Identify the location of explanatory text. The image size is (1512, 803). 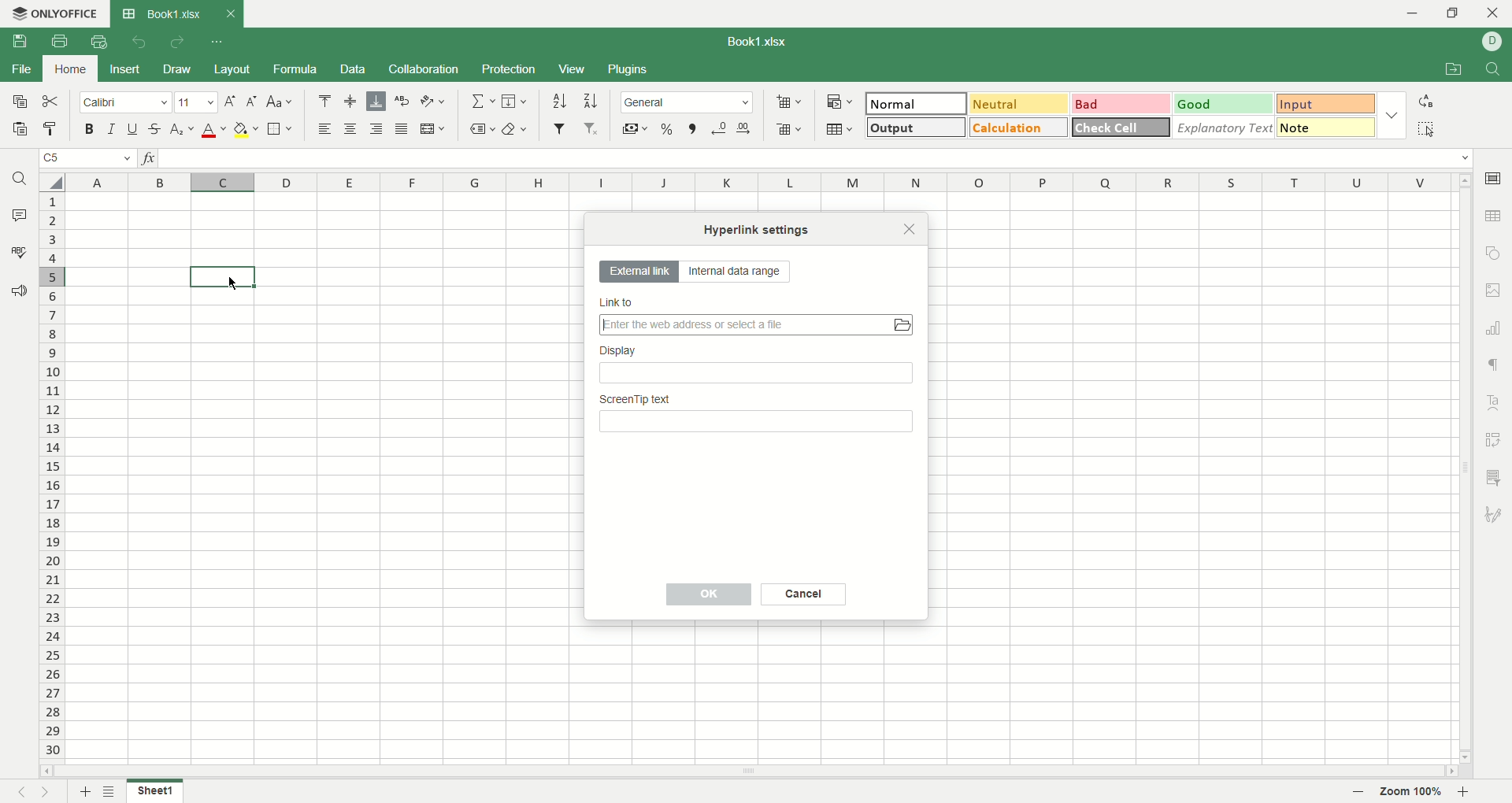
(1228, 127).